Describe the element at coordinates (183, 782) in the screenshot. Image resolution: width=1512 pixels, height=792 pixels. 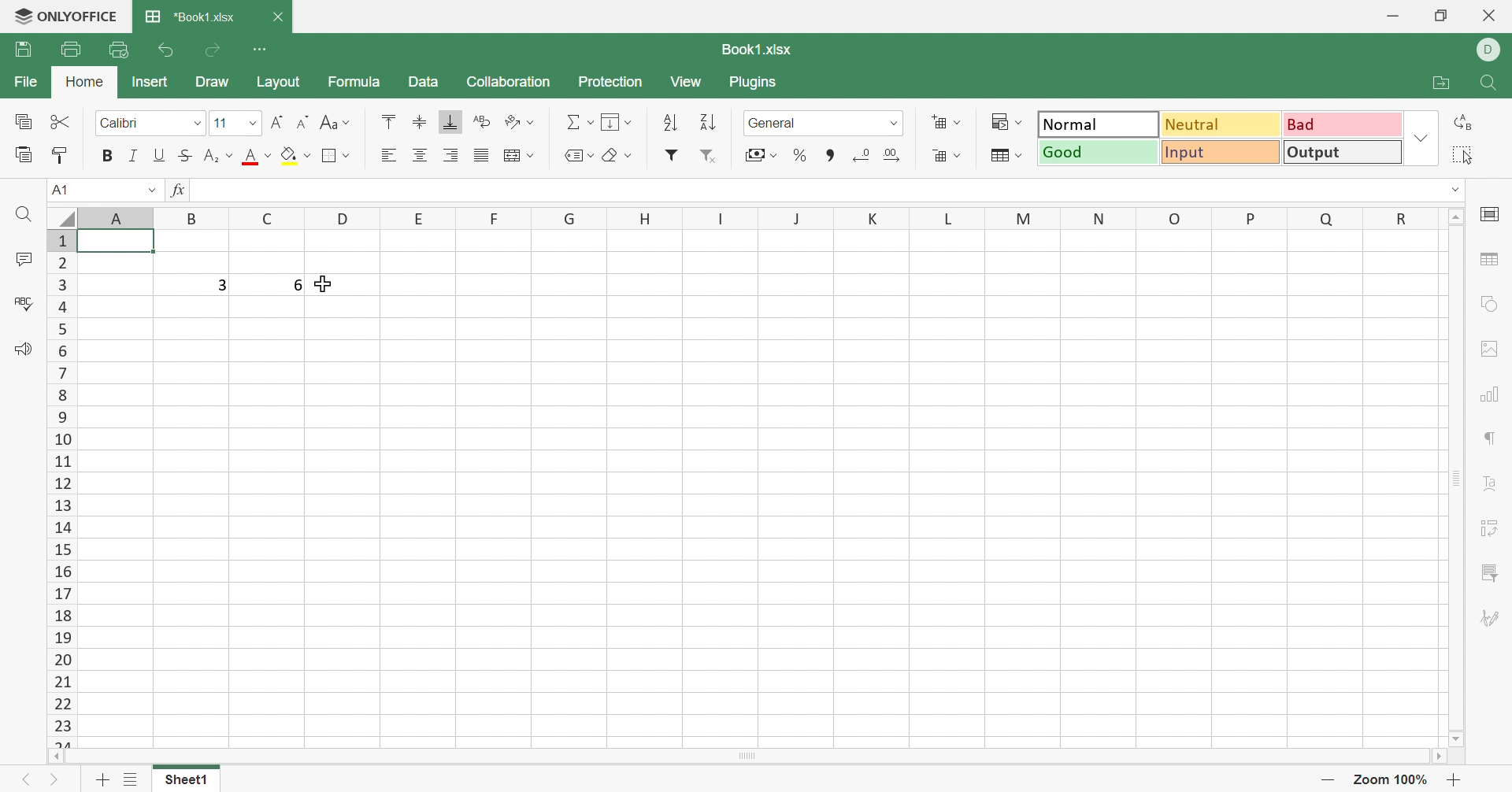
I see `Sheet1` at that location.